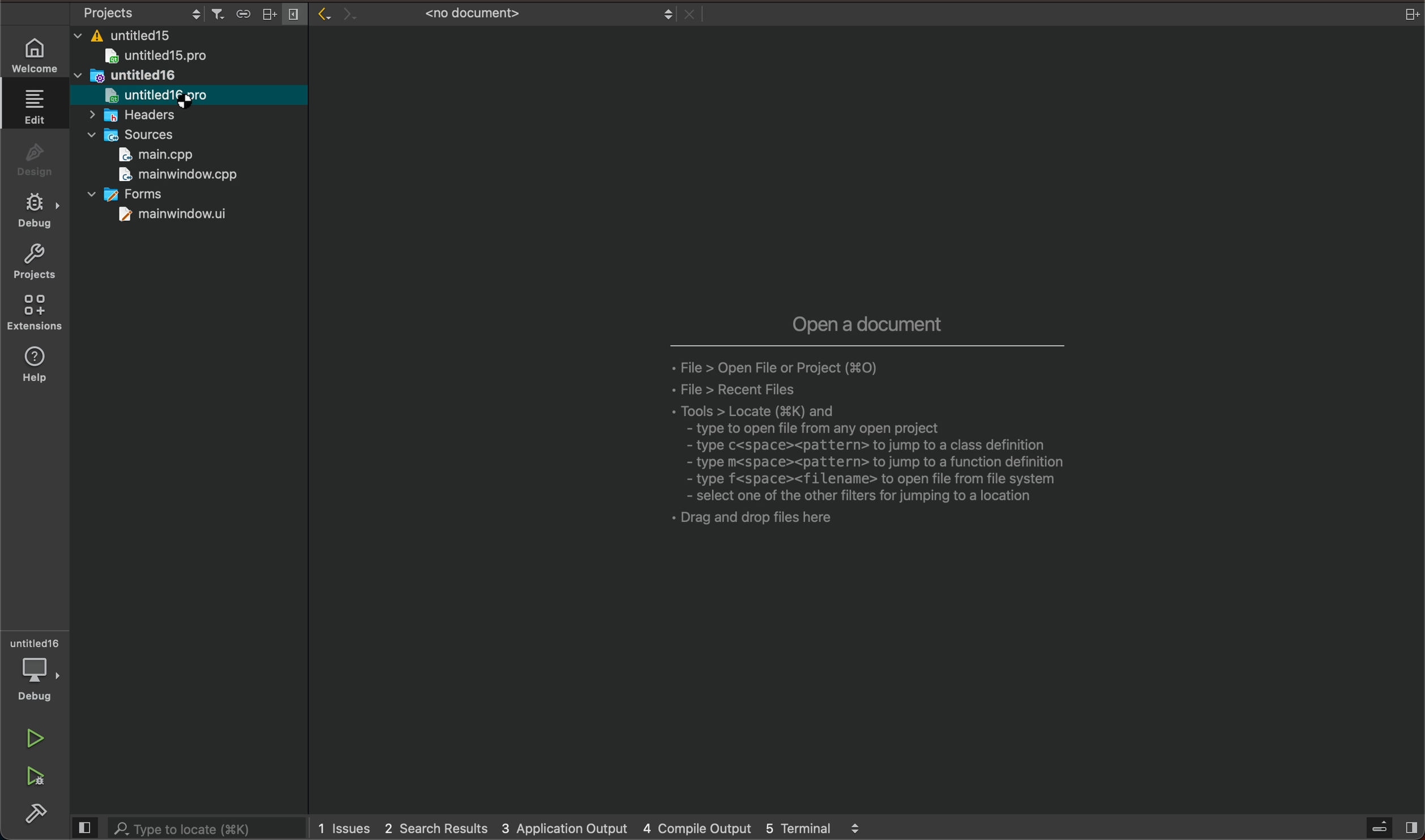 This screenshot has height=840, width=1425. What do you see at coordinates (35, 777) in the screenshot?
I see `run and build` at bounding box center [35, 777].